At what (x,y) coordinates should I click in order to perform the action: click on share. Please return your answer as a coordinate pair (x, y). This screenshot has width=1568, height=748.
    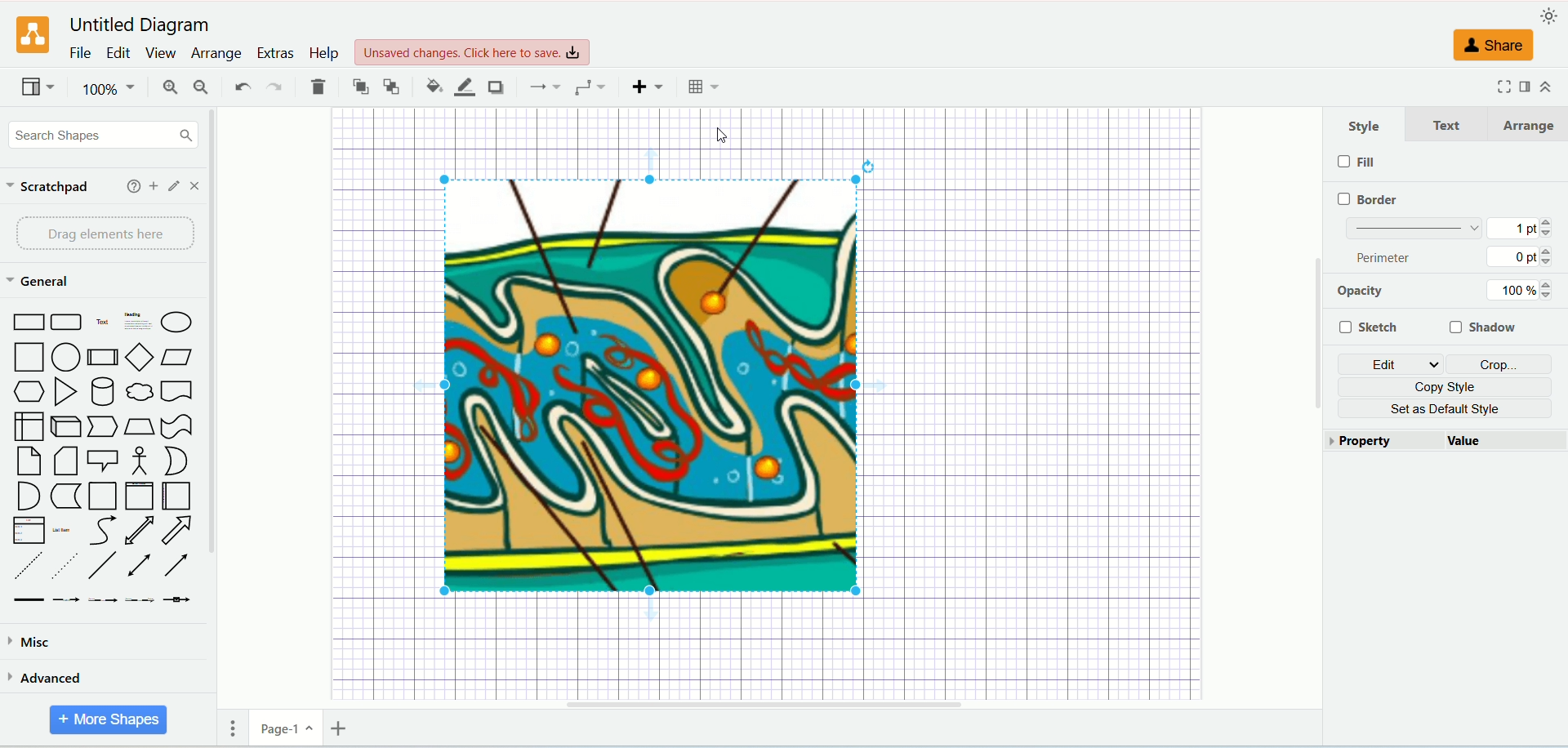
    Looking at the image, I should click on (1494, 46).